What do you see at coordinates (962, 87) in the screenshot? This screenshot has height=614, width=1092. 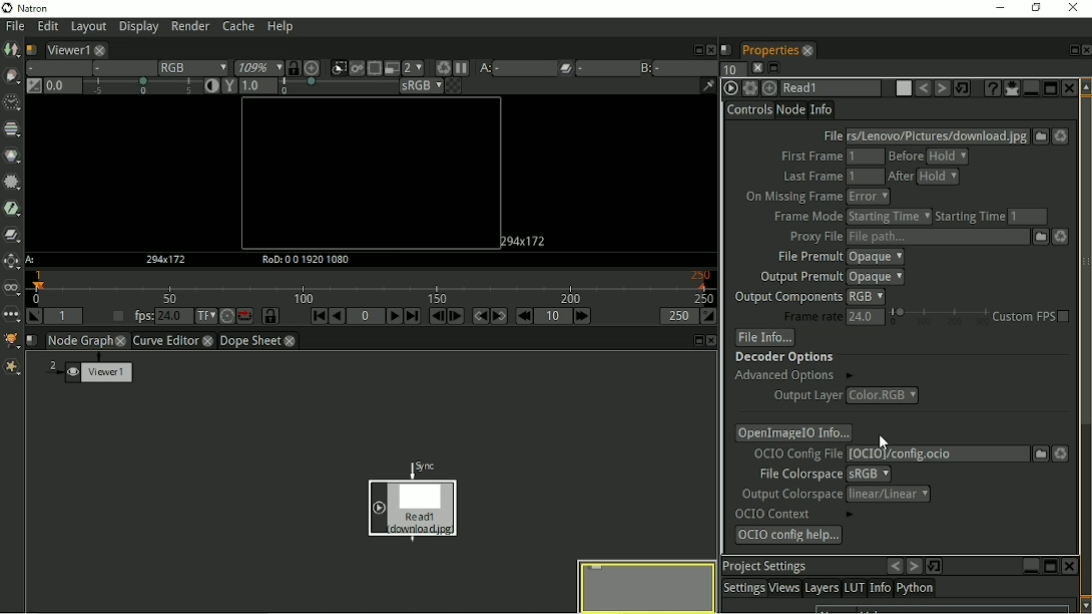 I see `Restore default values` at bounding box center [962, 87].